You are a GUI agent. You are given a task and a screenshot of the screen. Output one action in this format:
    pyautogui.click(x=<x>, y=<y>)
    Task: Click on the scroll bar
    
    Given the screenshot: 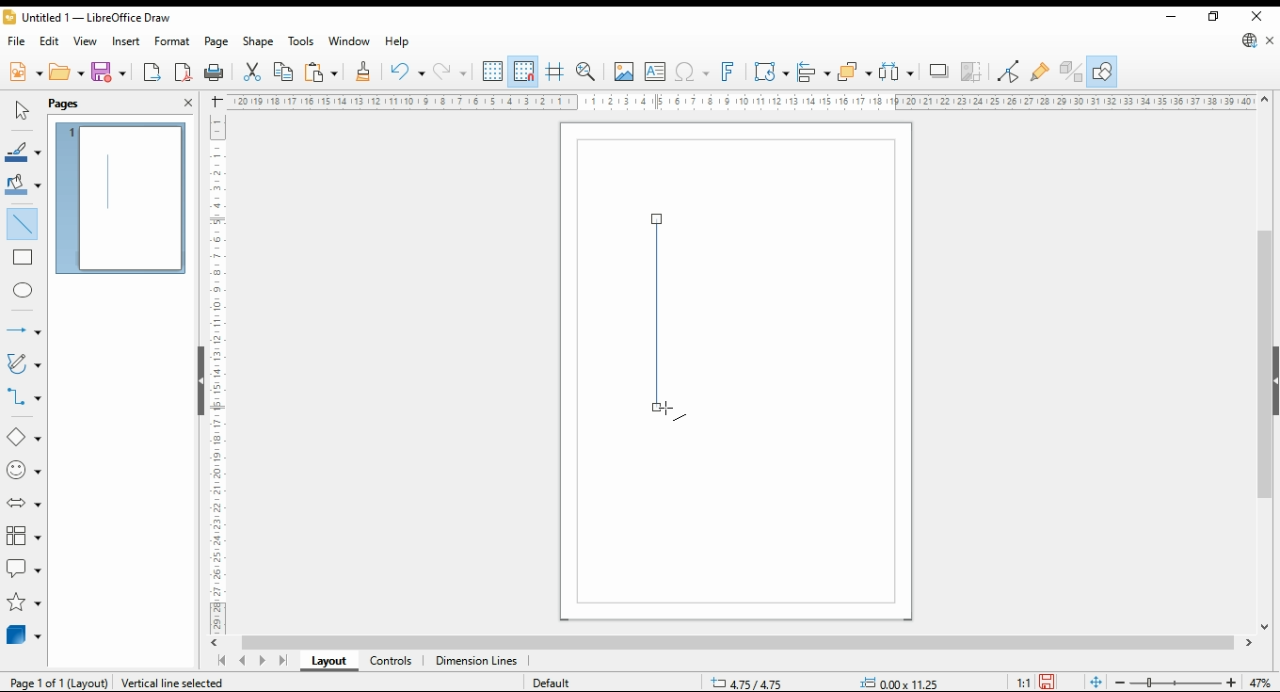 What is the action you would take?
    pyautogui.click(x=193, y=379)
    